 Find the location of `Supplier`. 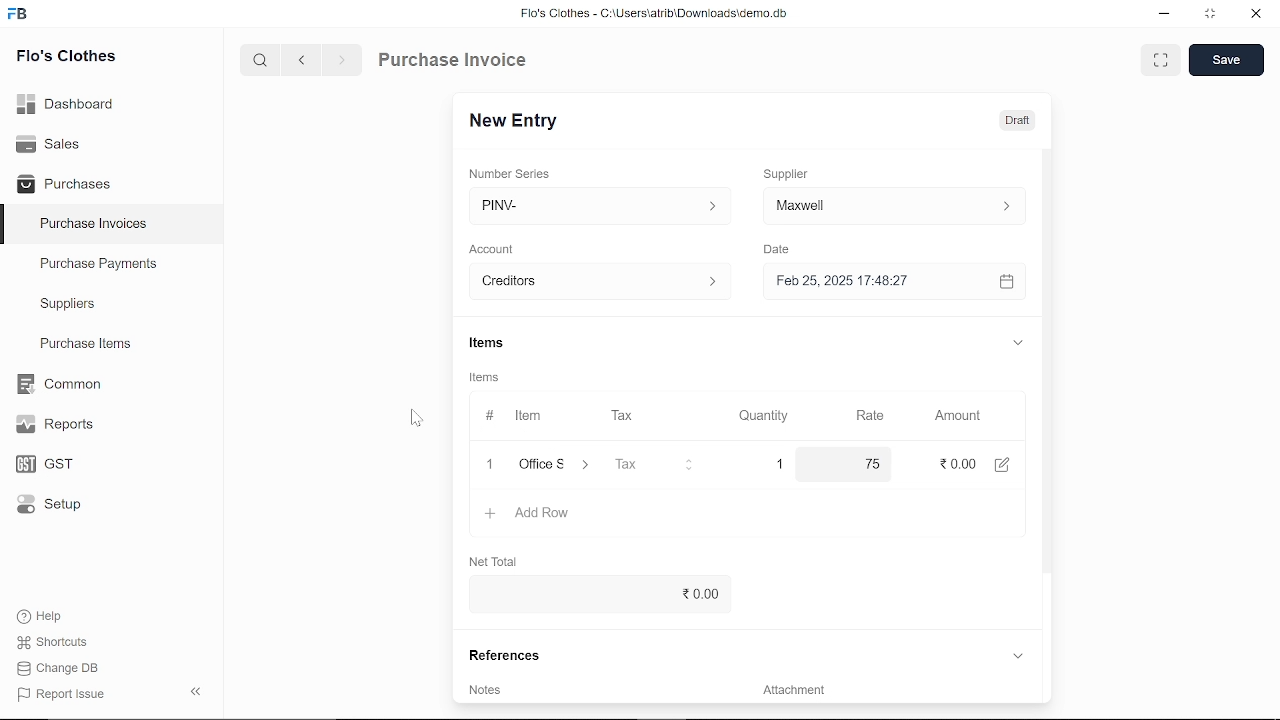

Supplier is located at coordinates (797, 172).